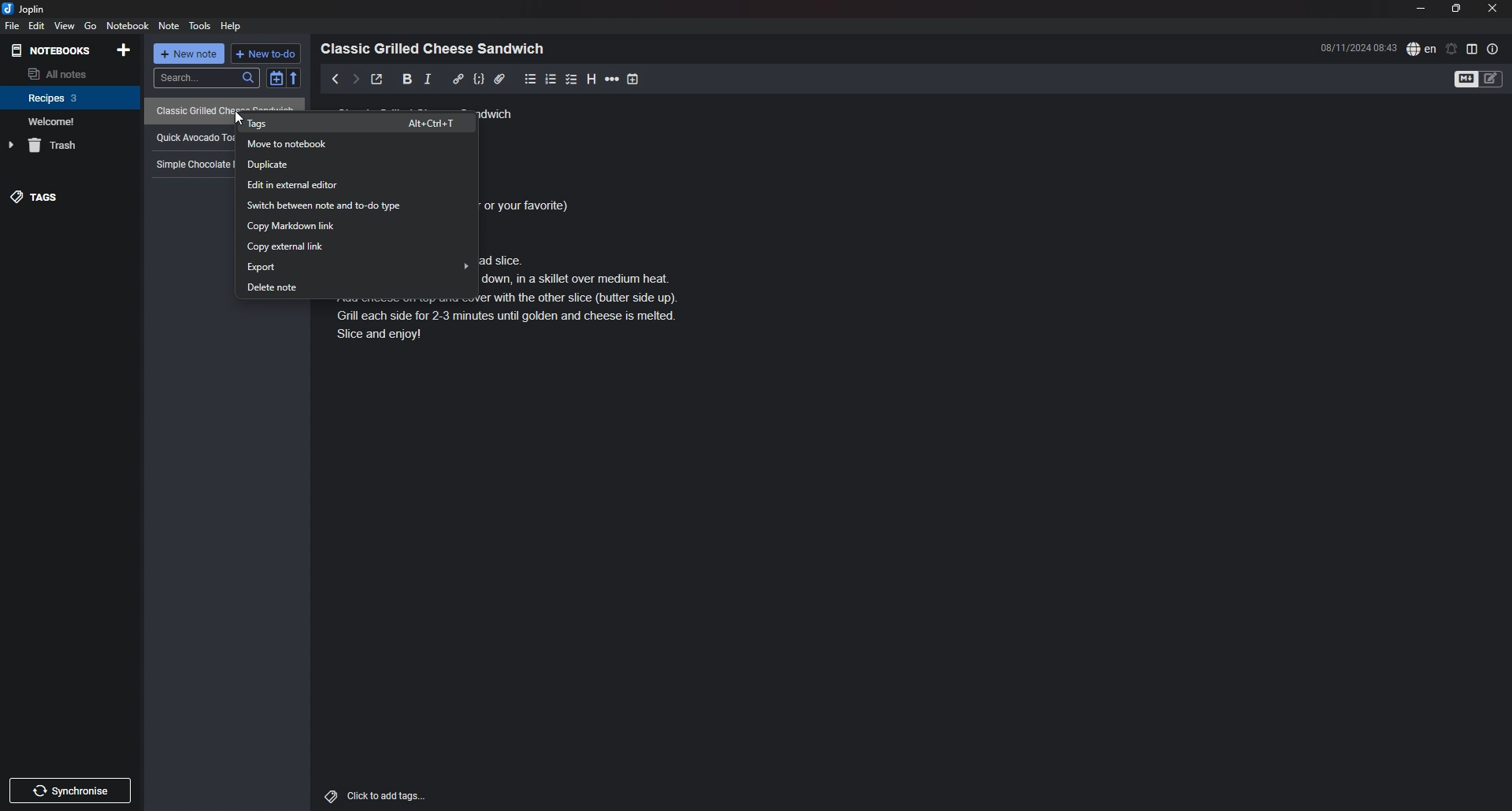 This screenshot has width=1512, height=811. Describe the element at coordinates (1421, 9) in the screenshot. I see `minimize` at that location.